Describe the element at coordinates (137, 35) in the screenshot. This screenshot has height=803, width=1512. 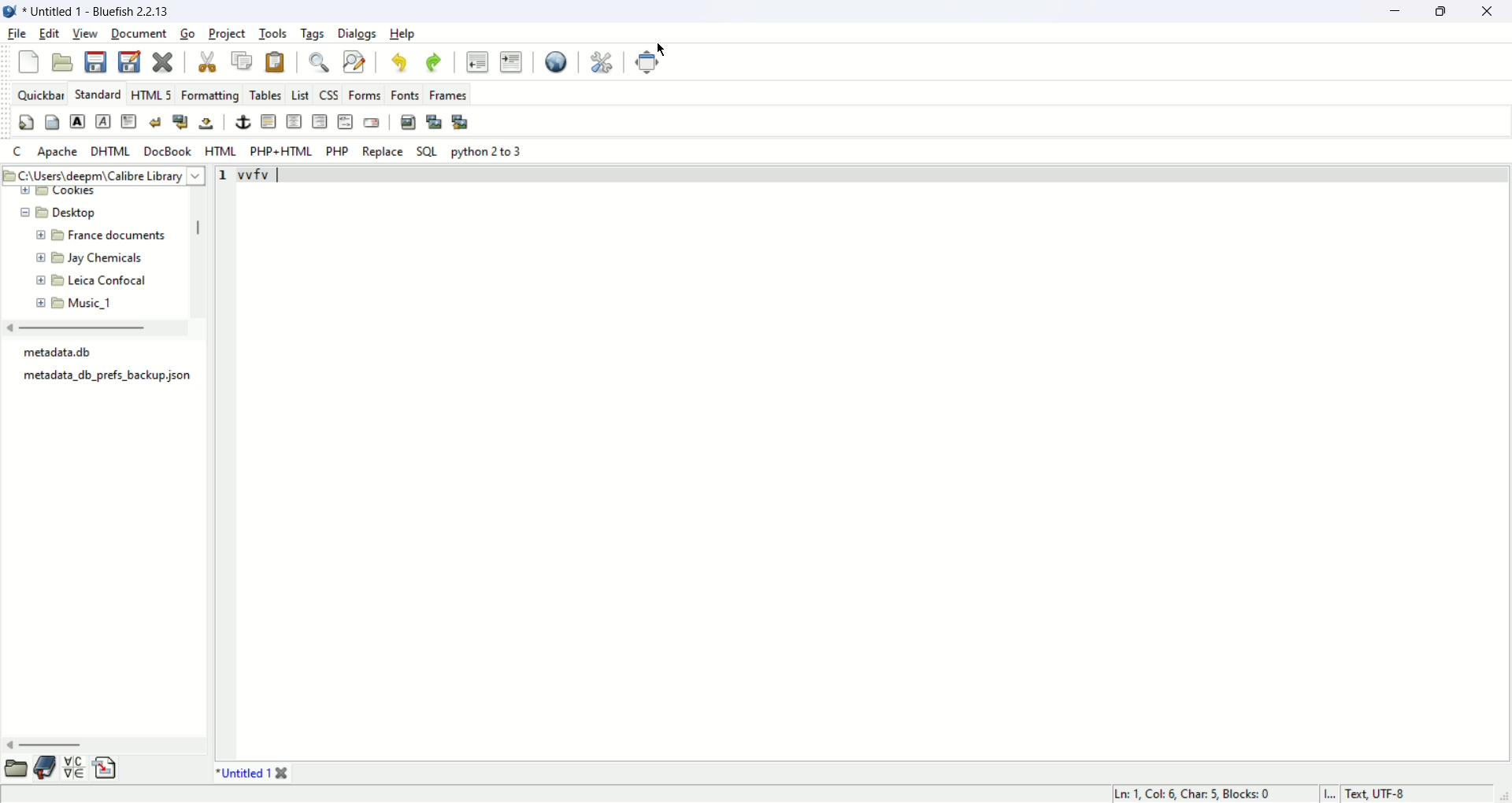
I see `document` at that location.